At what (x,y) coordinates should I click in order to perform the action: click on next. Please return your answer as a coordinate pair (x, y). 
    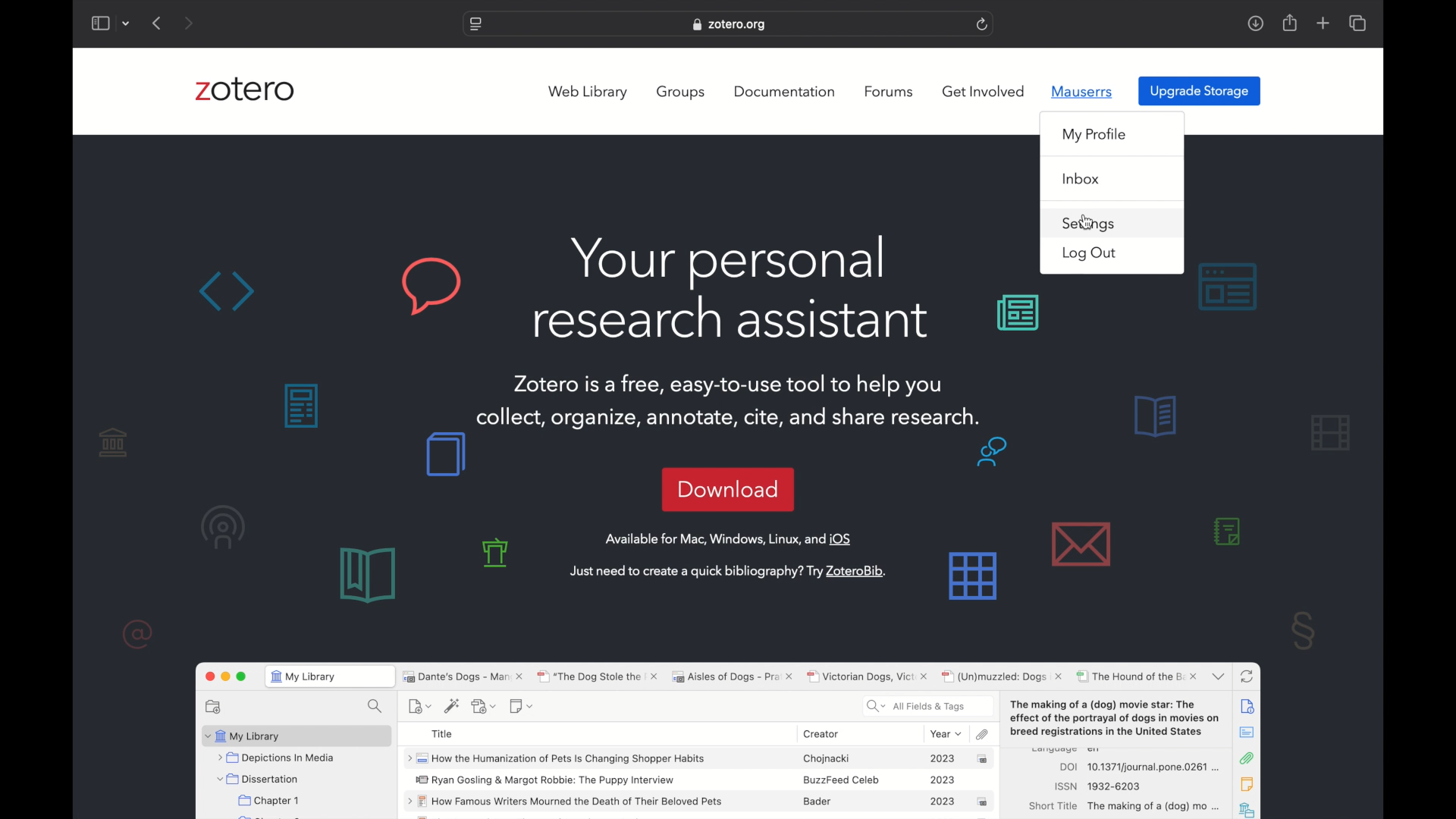
    Looking at the image, I should click on (190, 23).